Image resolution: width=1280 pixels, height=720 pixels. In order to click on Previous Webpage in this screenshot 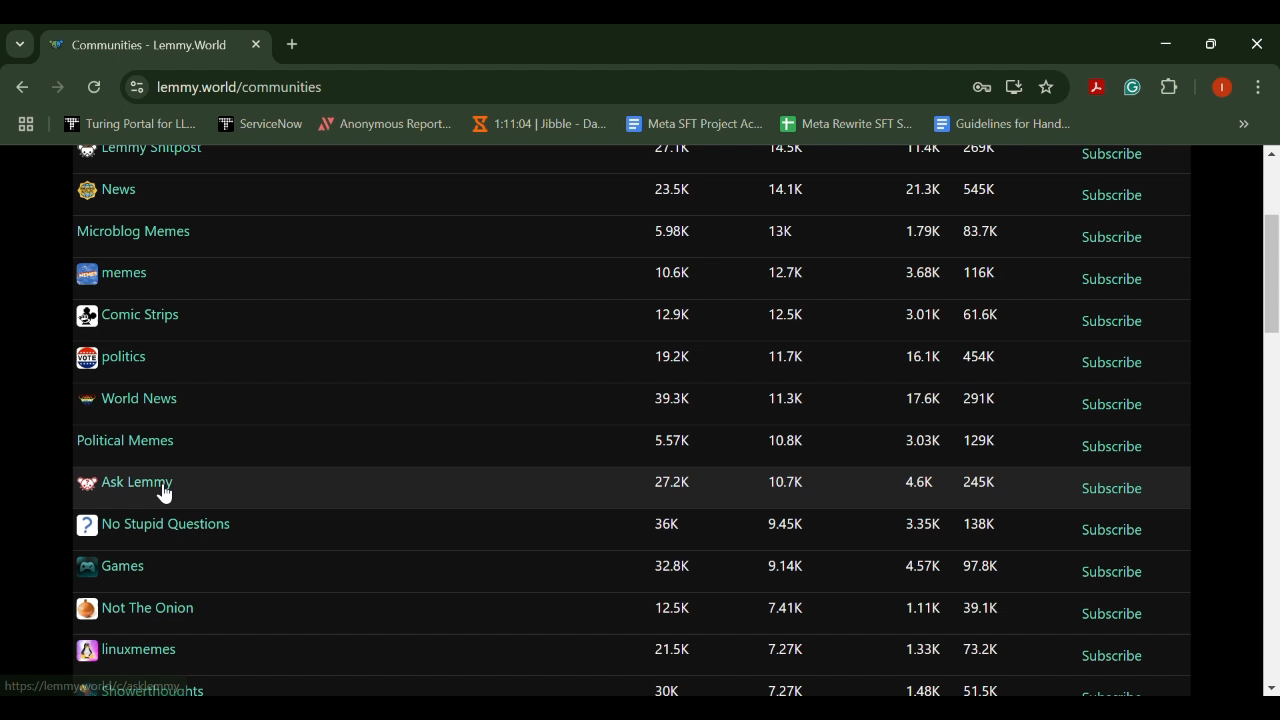, I will do `click(19, 89)`.